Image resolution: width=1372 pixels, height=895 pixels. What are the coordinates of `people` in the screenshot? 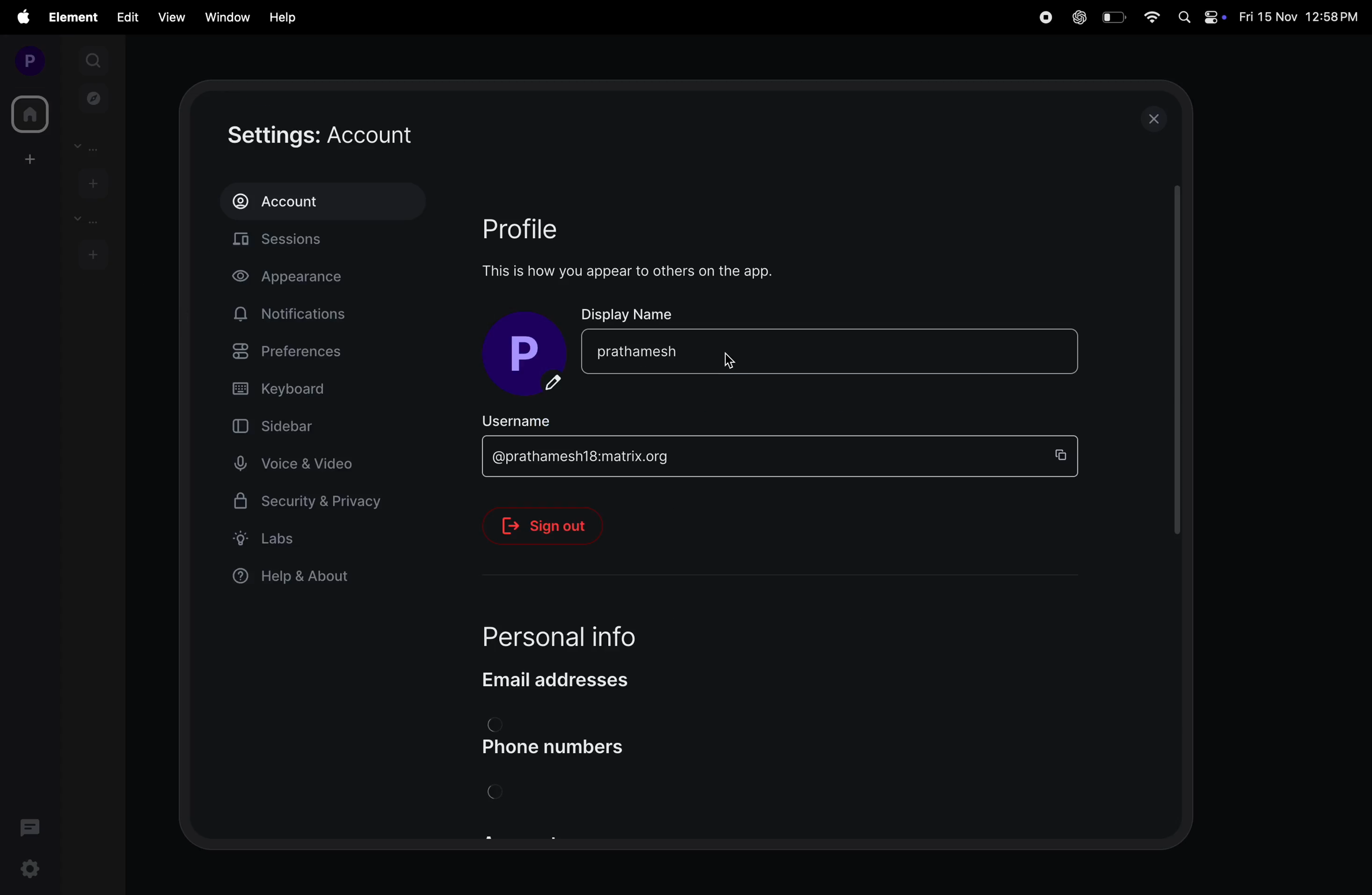 It's located at (91, 146).